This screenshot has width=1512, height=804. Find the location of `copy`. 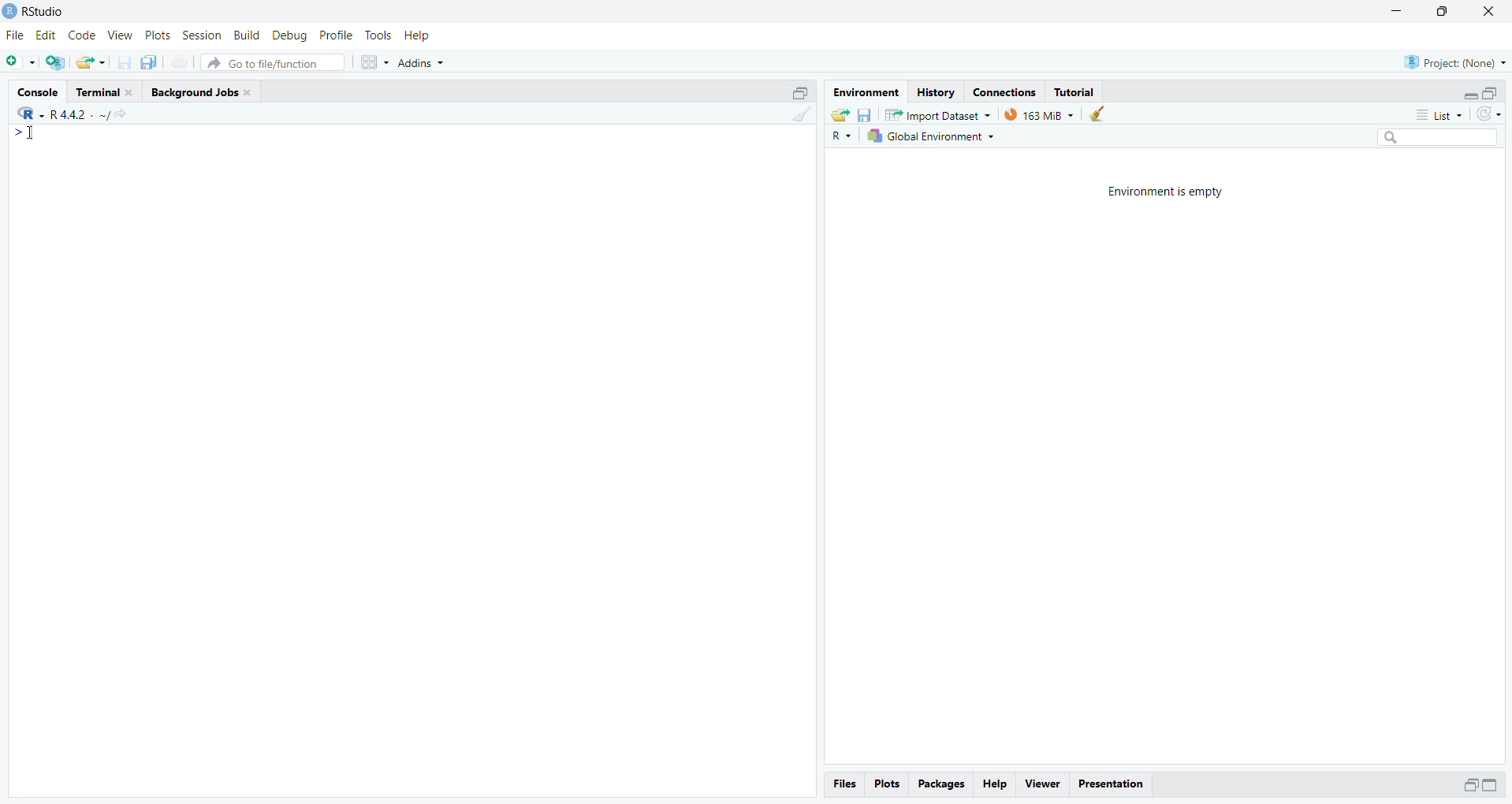

copy is located at coordinates (150, 62).